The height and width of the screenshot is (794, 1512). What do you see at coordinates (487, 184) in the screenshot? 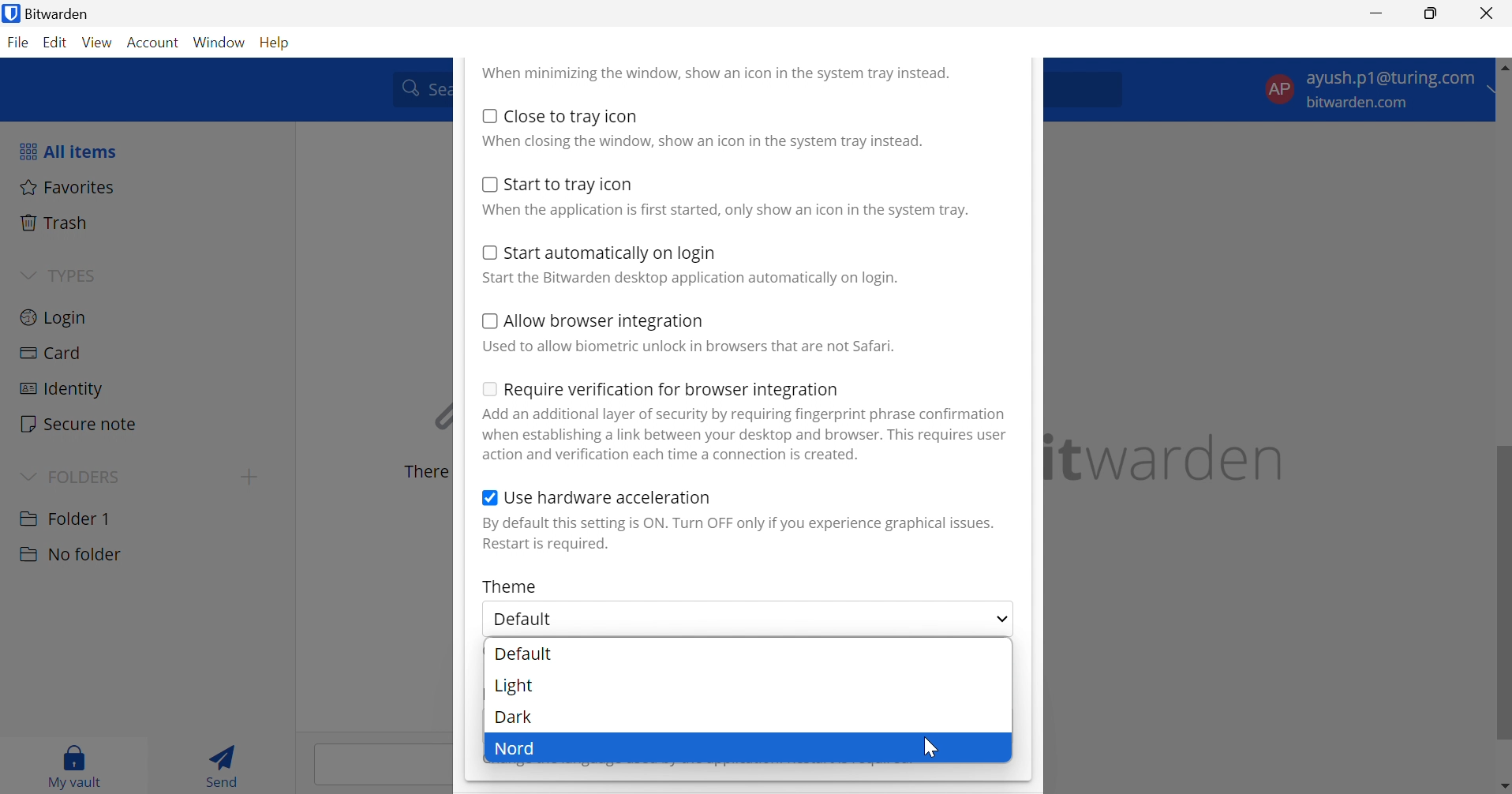
I see `Checkbox` at bounding box center [487, 184].